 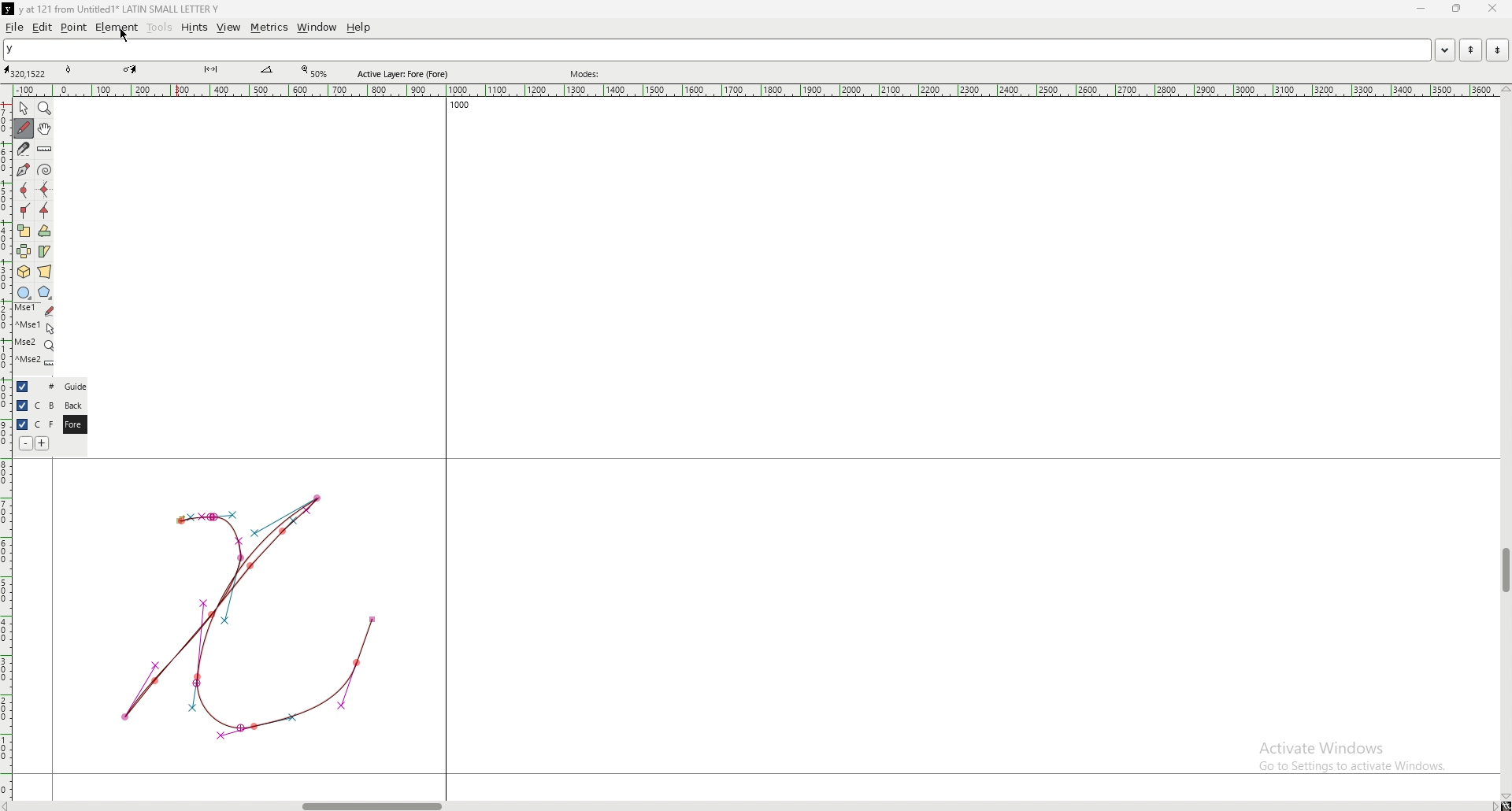 I want to click on point tool, so click(x=69, y=69).